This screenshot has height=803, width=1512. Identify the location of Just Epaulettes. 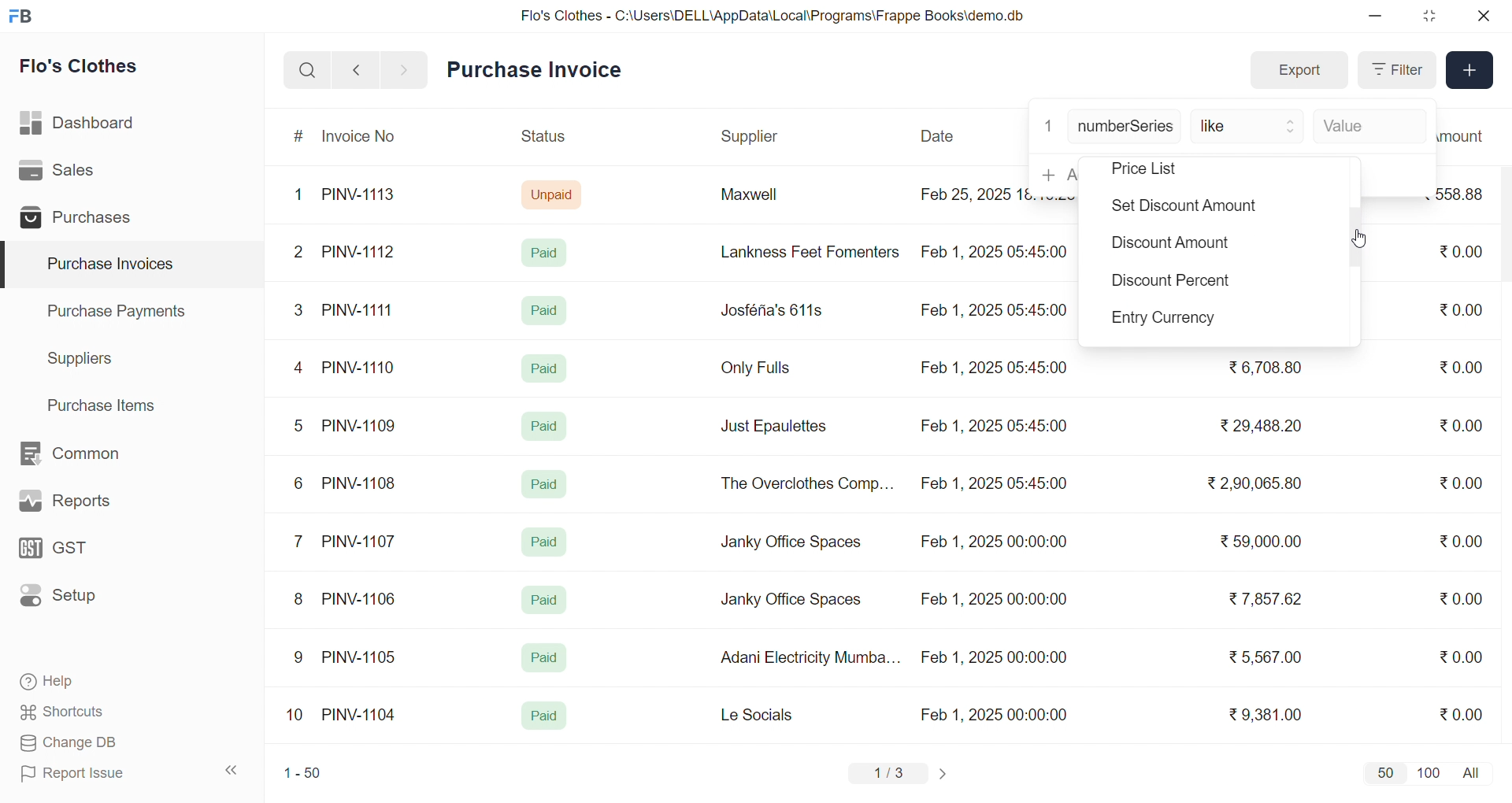
(780, 427).